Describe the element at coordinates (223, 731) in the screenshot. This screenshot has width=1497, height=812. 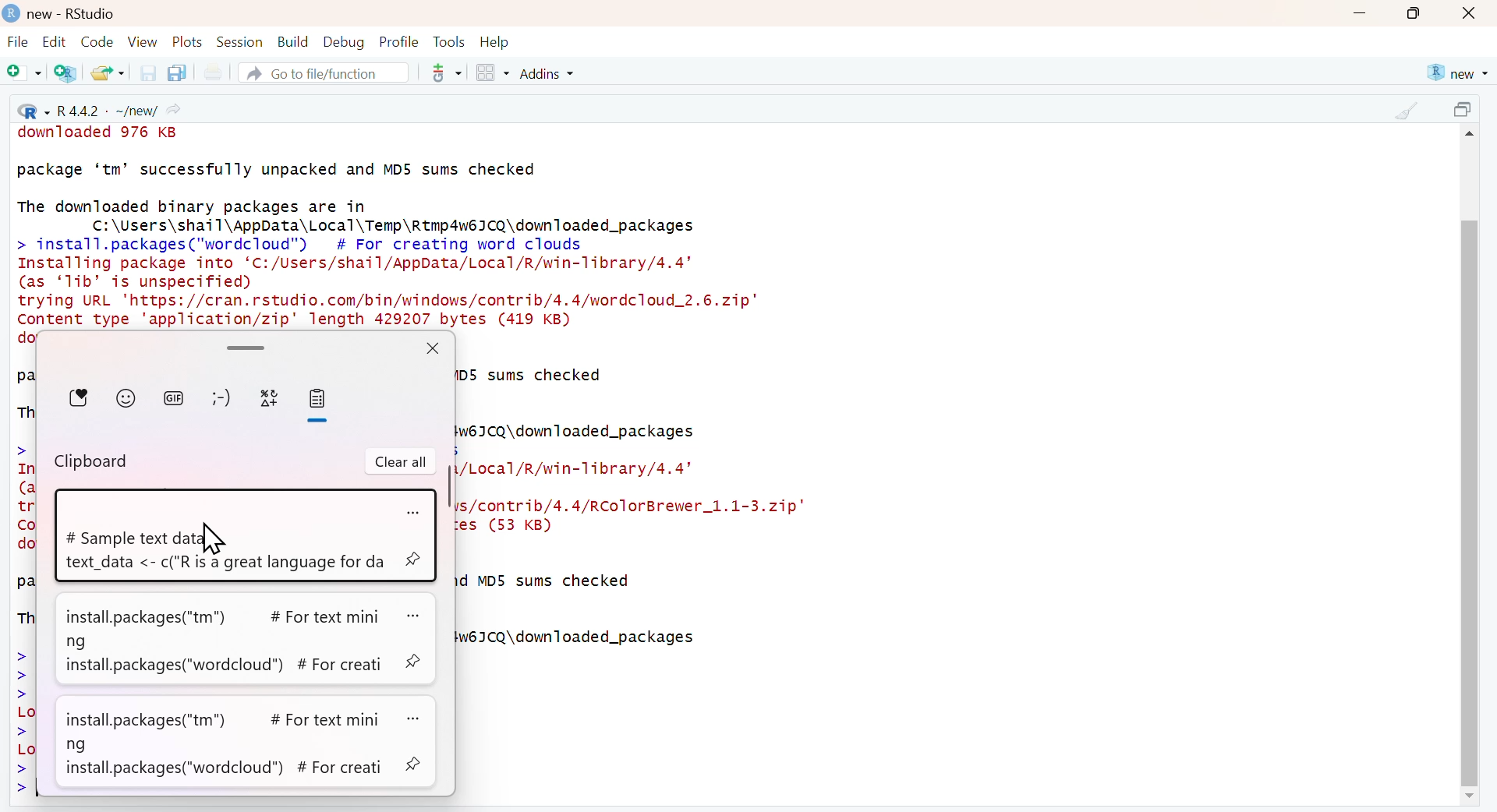
I see `install.packages("tm") # For text mining` at that location.